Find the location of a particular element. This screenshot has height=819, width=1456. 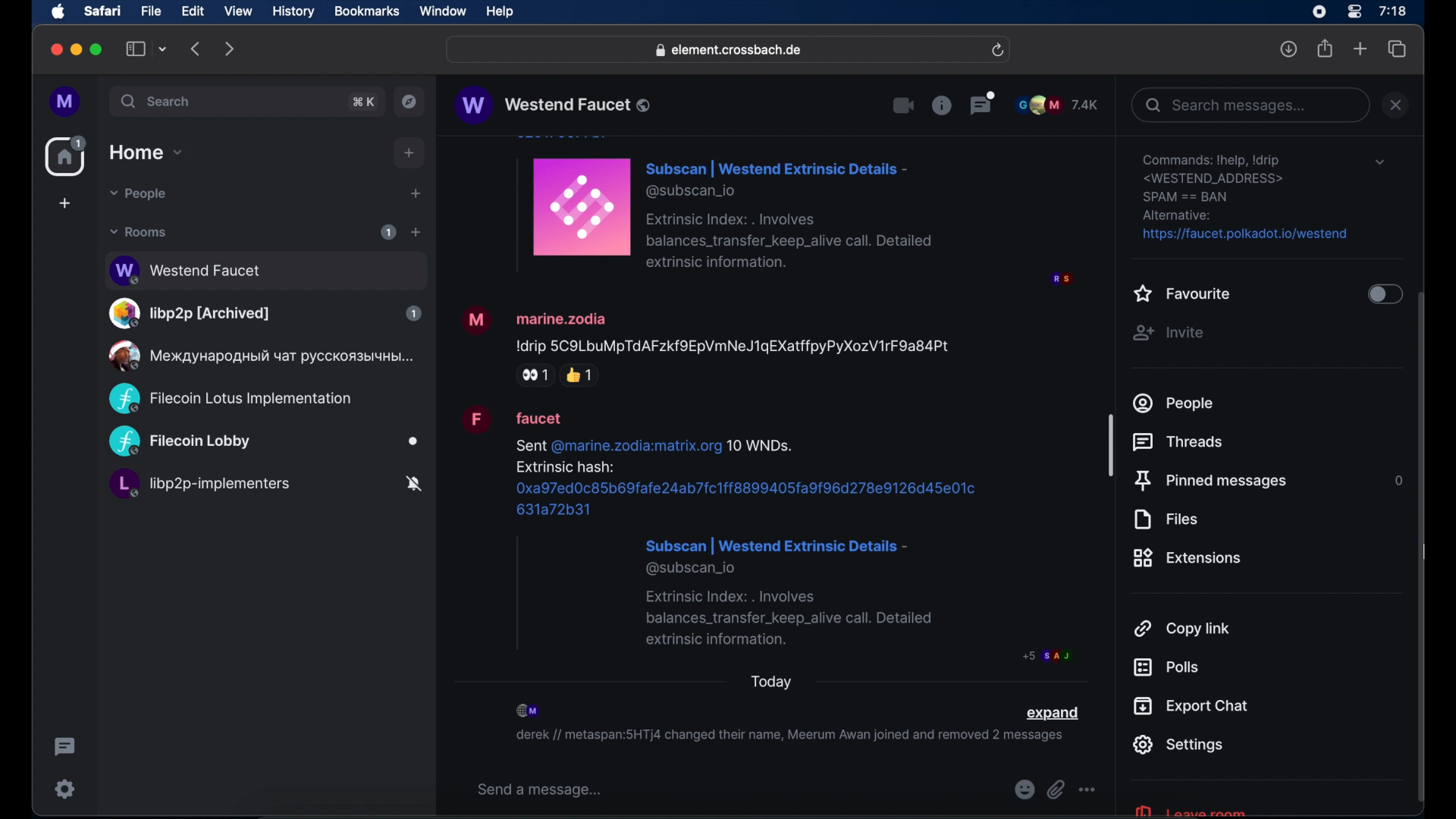

settings is located at coordinates (66, 789).